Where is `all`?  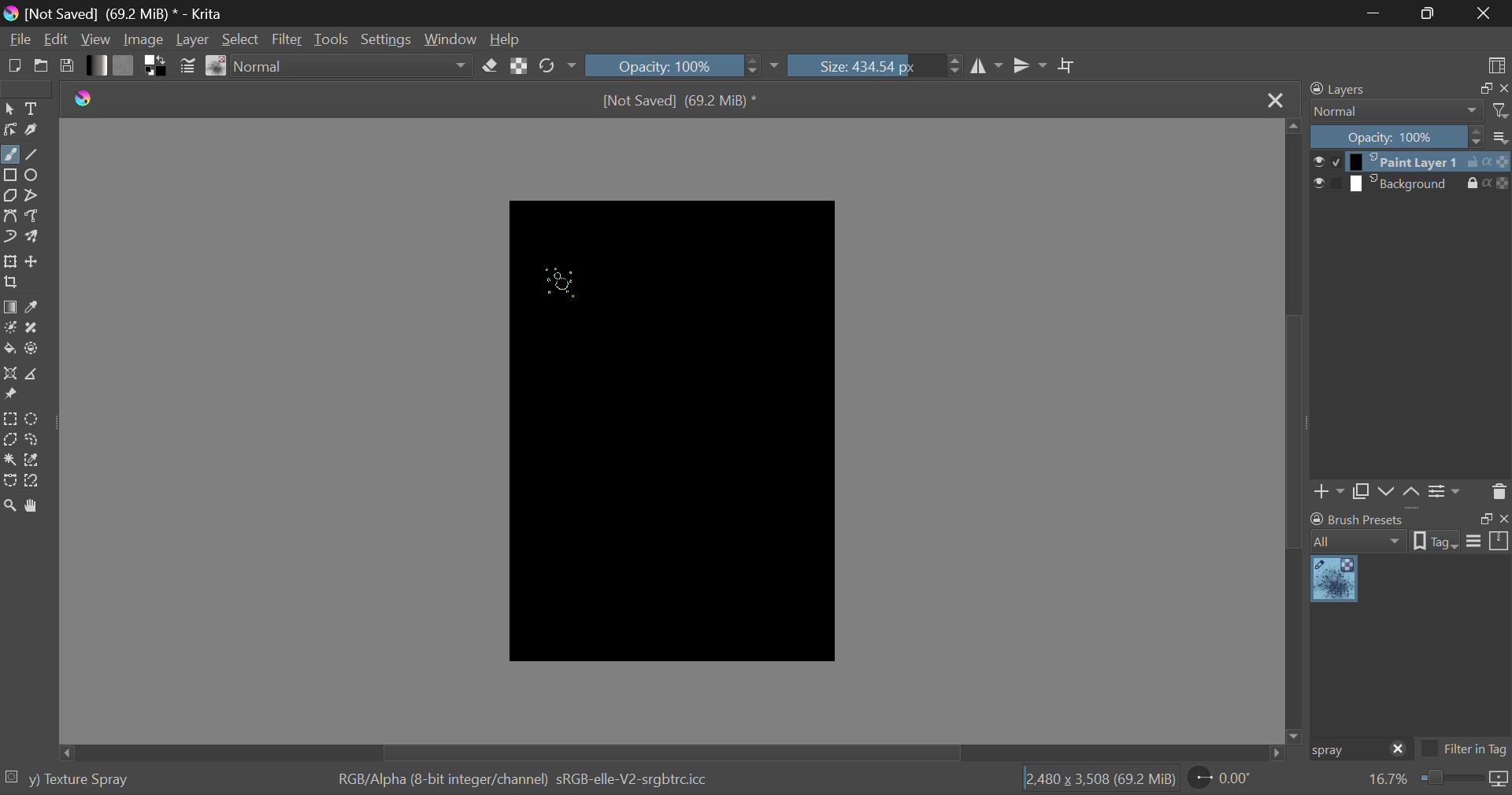 all is located at coordinates (1360, 542).